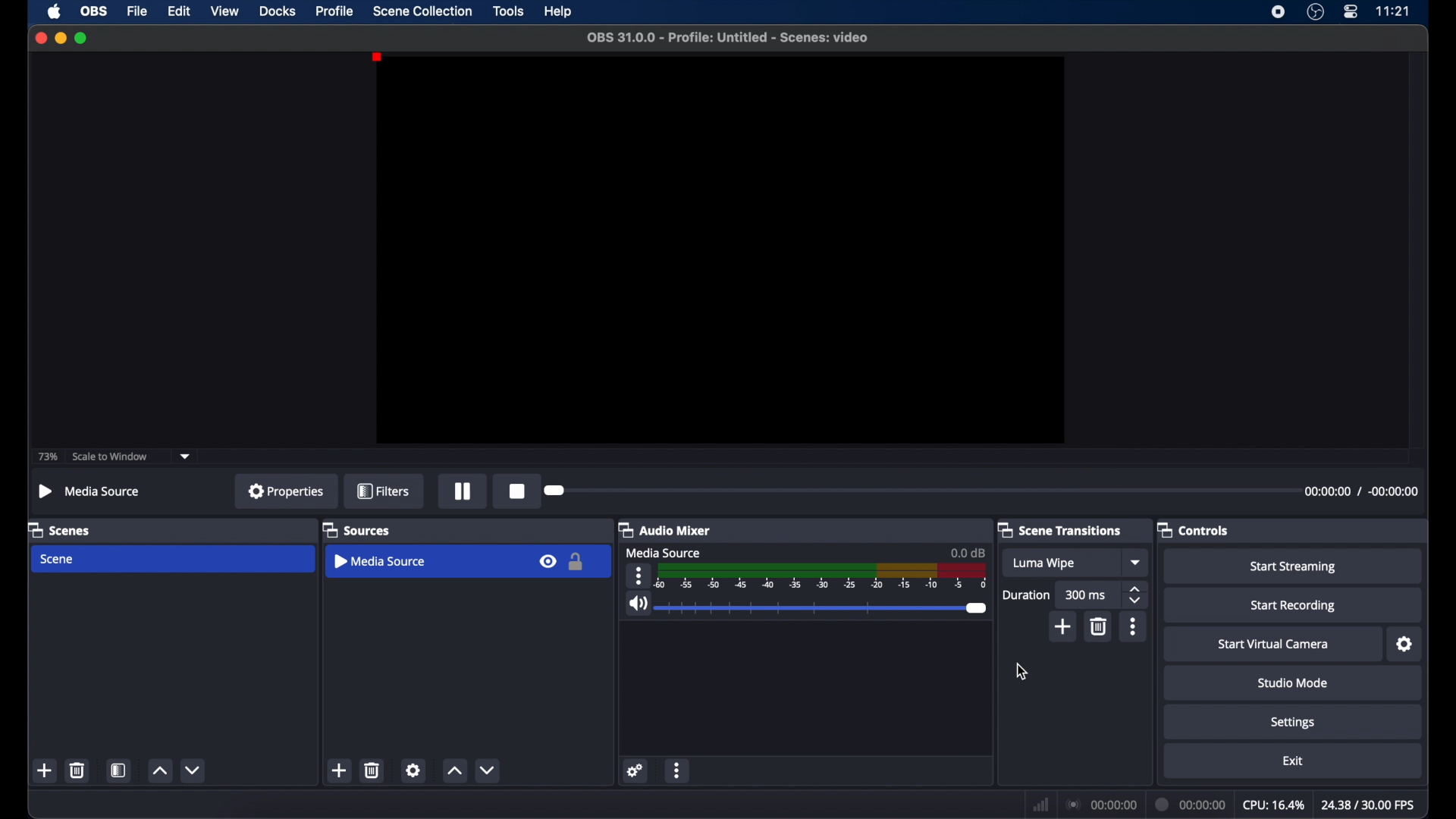 The height and width of the screenshot is (819, 1456). Describe the element at coordinates (383, 491) in the screenshot. I see `filters` at that location.